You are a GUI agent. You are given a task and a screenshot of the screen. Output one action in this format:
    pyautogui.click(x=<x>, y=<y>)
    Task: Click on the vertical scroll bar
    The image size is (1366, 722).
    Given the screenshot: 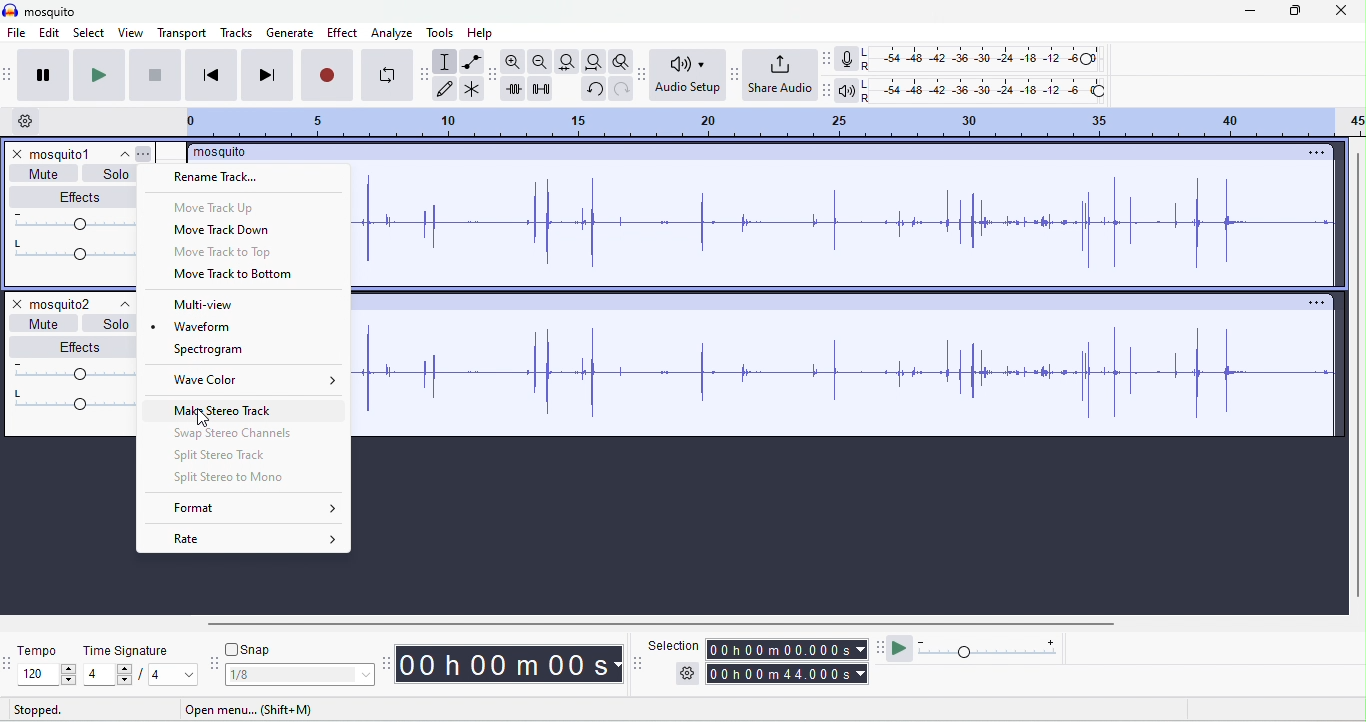 What is the action you would take?
    pyautogui.click(x=1356, y=377)
    